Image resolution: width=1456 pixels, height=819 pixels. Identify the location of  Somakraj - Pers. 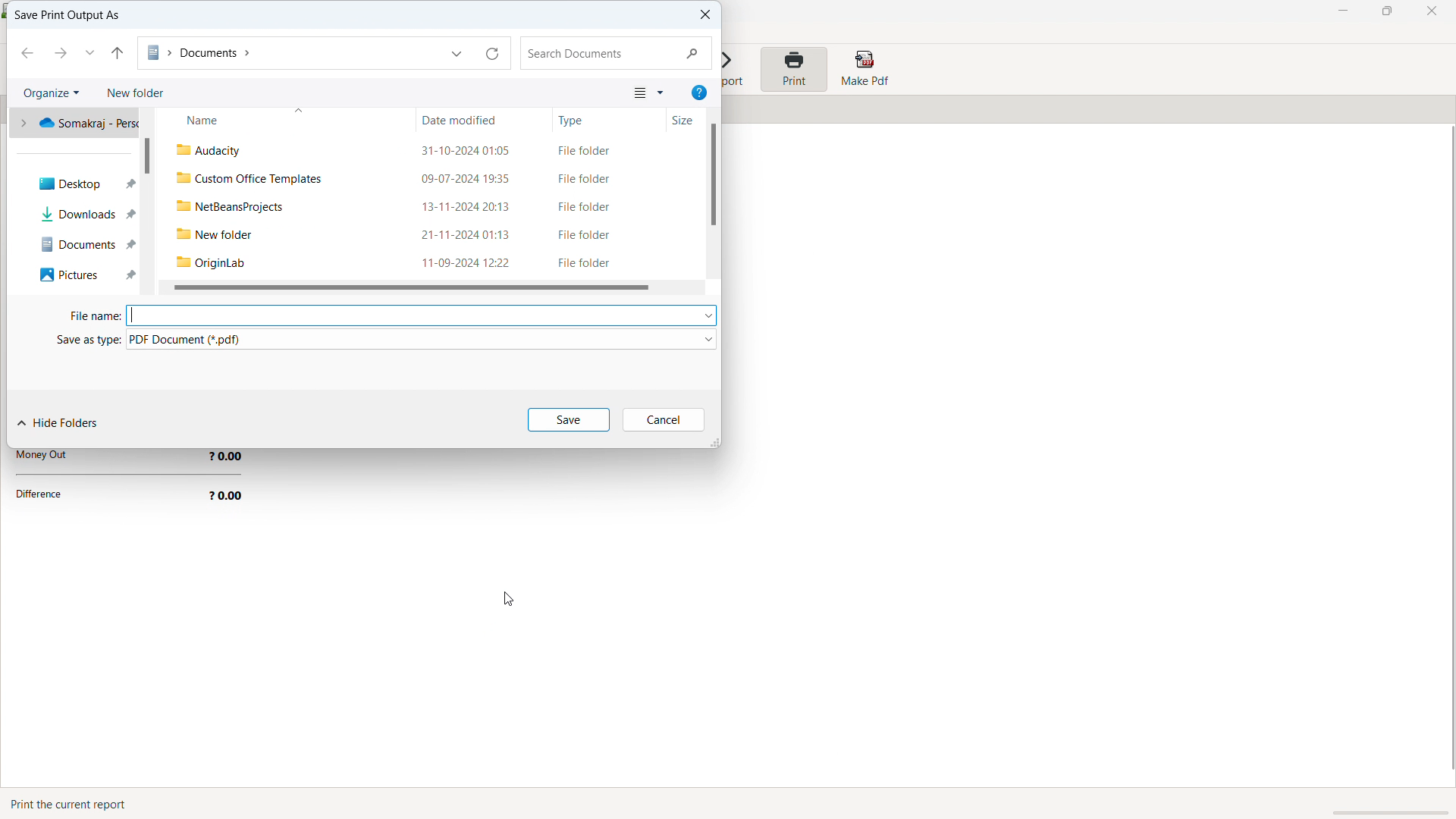
(79, 126).